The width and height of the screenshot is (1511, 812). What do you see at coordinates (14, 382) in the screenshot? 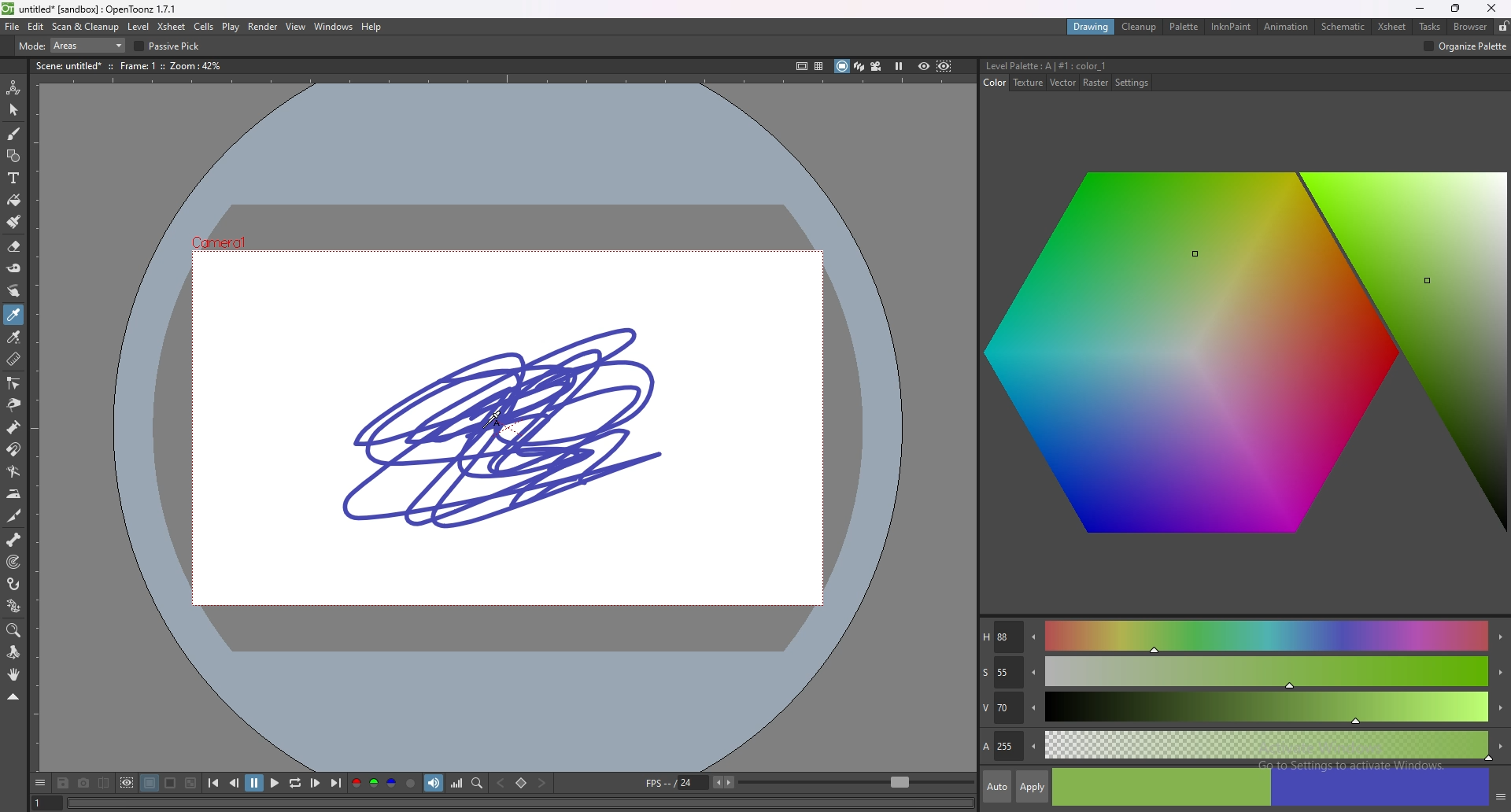
I see `control point editor tool` at bounding box center [14, 382].